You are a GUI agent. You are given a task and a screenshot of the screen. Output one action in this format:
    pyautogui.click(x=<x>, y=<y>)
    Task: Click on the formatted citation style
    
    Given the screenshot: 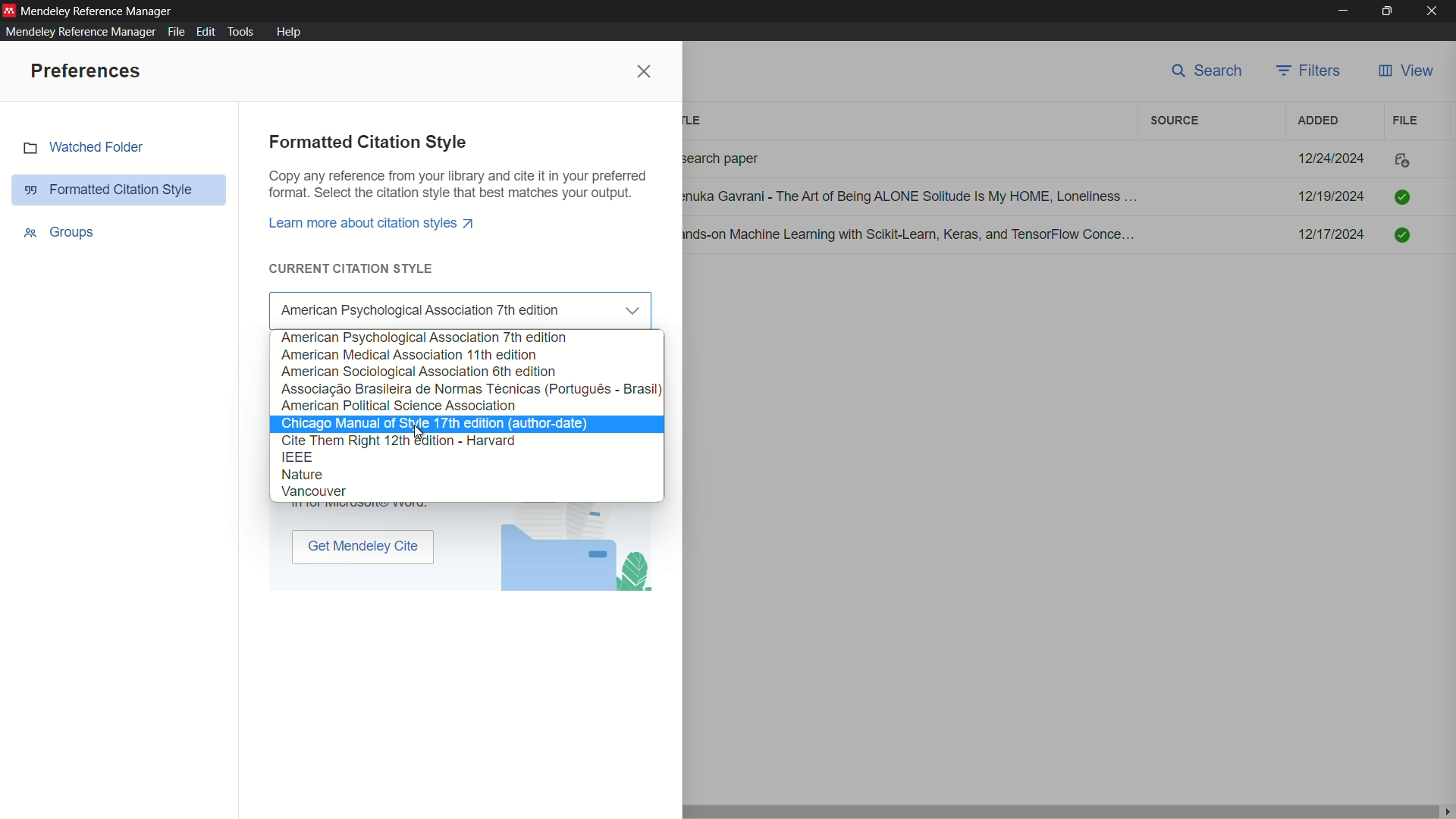 What is the action you would take?
    pyautogui.click(x=370, y=141)
    